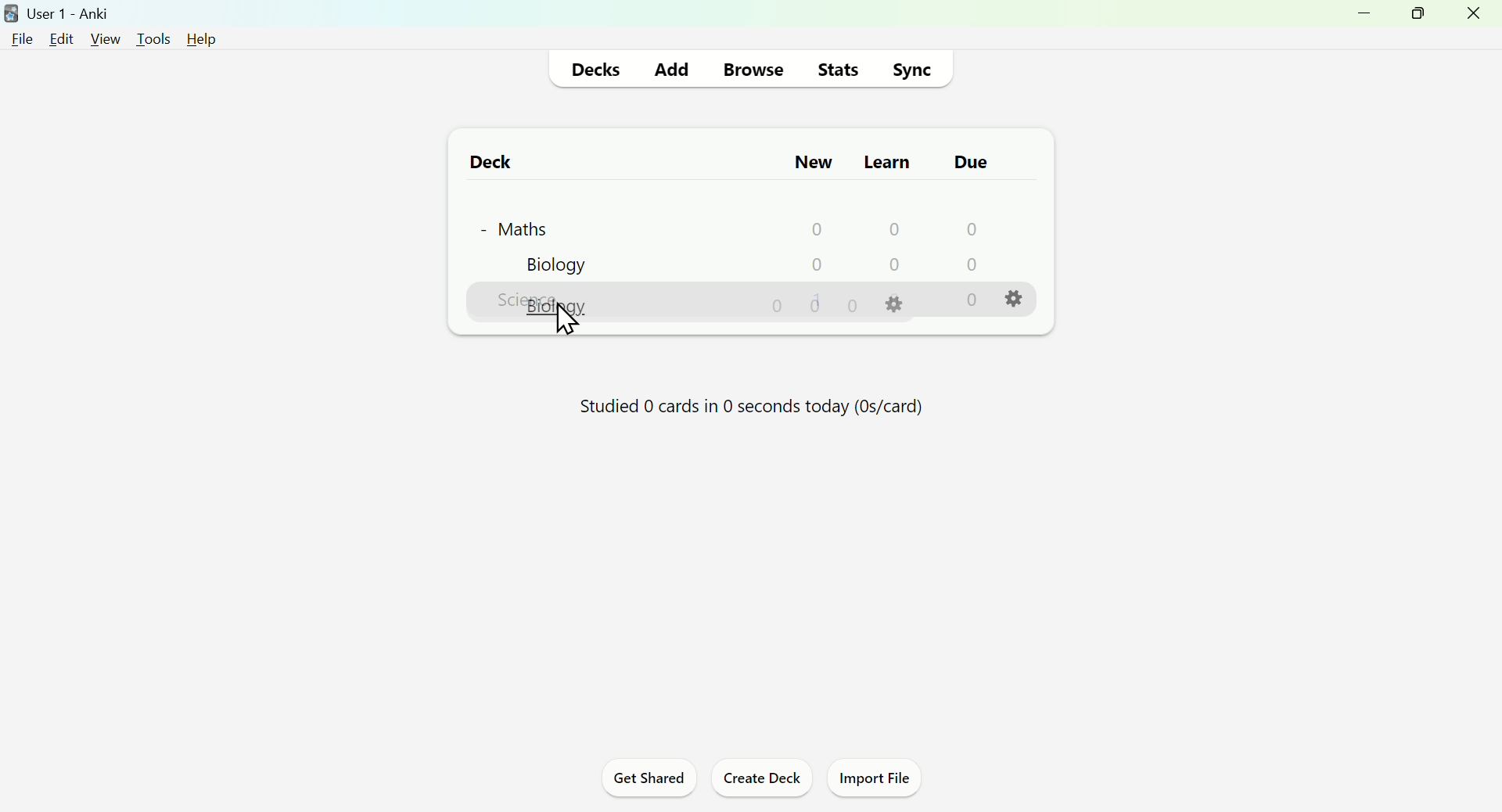 Image resolution: width=1502 pixels, height=812 pixels. What do you see at coordinates (820, 299) in the screenshot?
I see `1` at bounding box center [820, 299].